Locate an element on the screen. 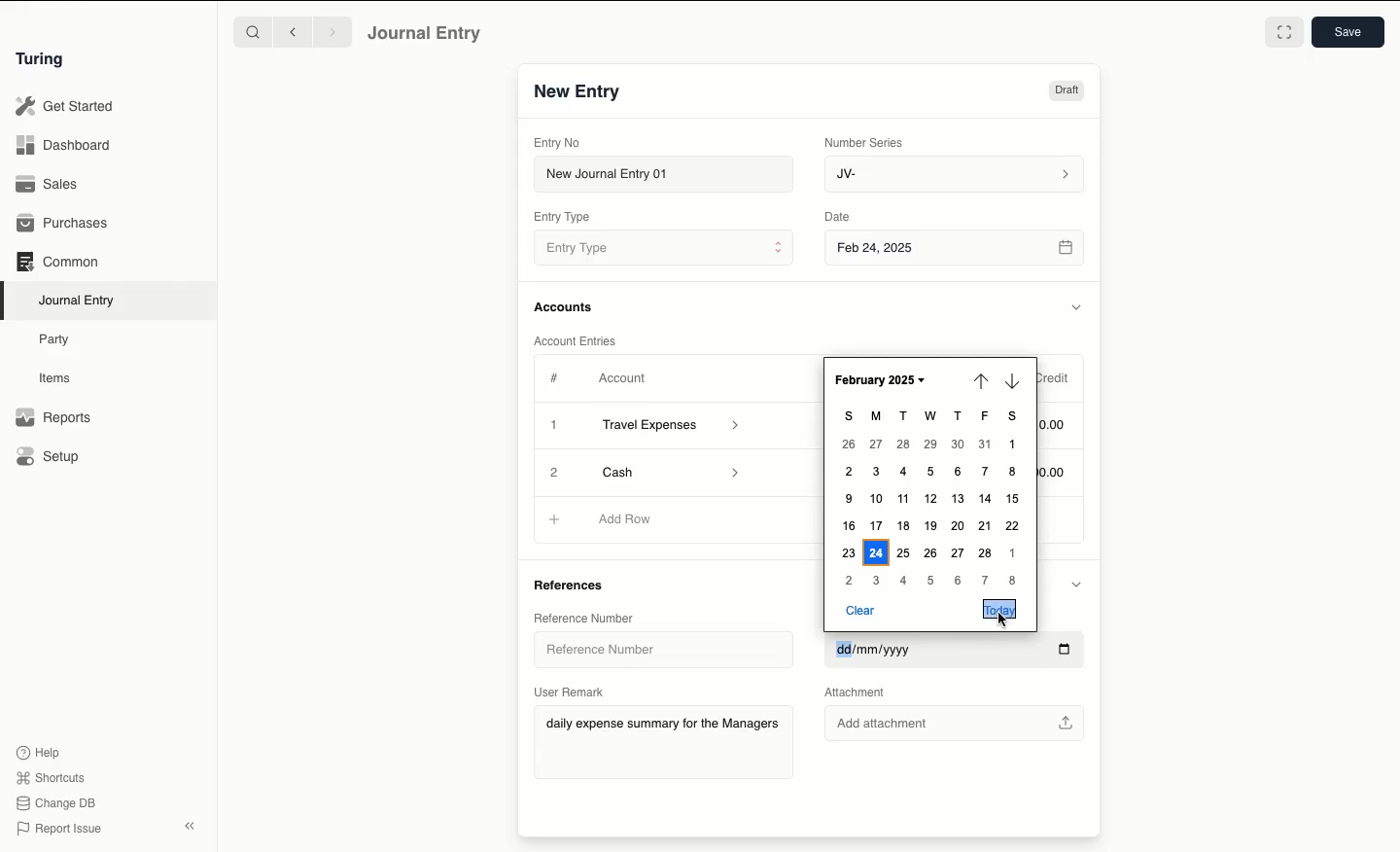 The width and height of the screenshot is (1400, 852). Sales is located at coordinates (50, 184).